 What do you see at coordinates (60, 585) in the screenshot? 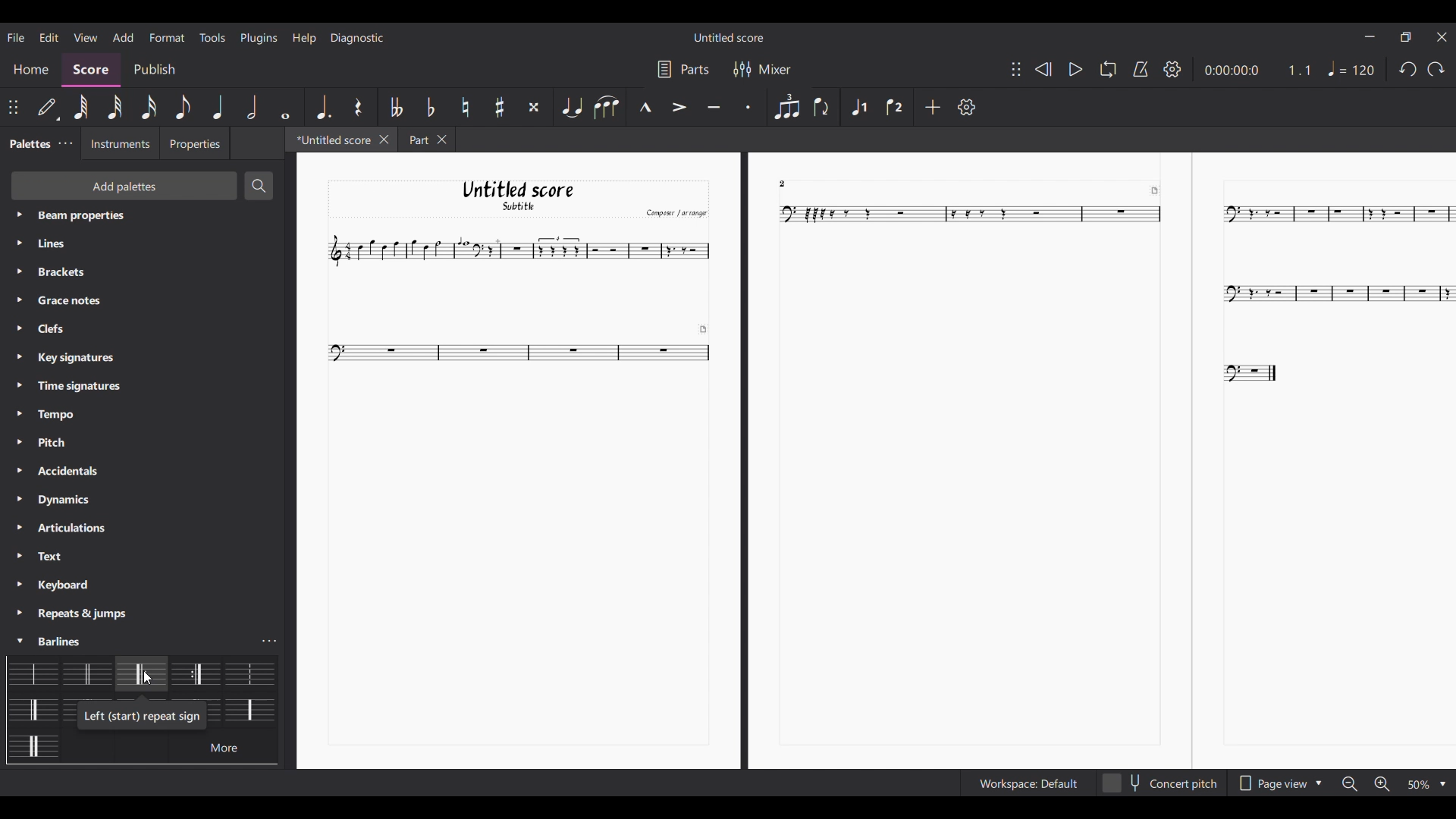
I see `Palette settings` at bounding box center [60, 585].